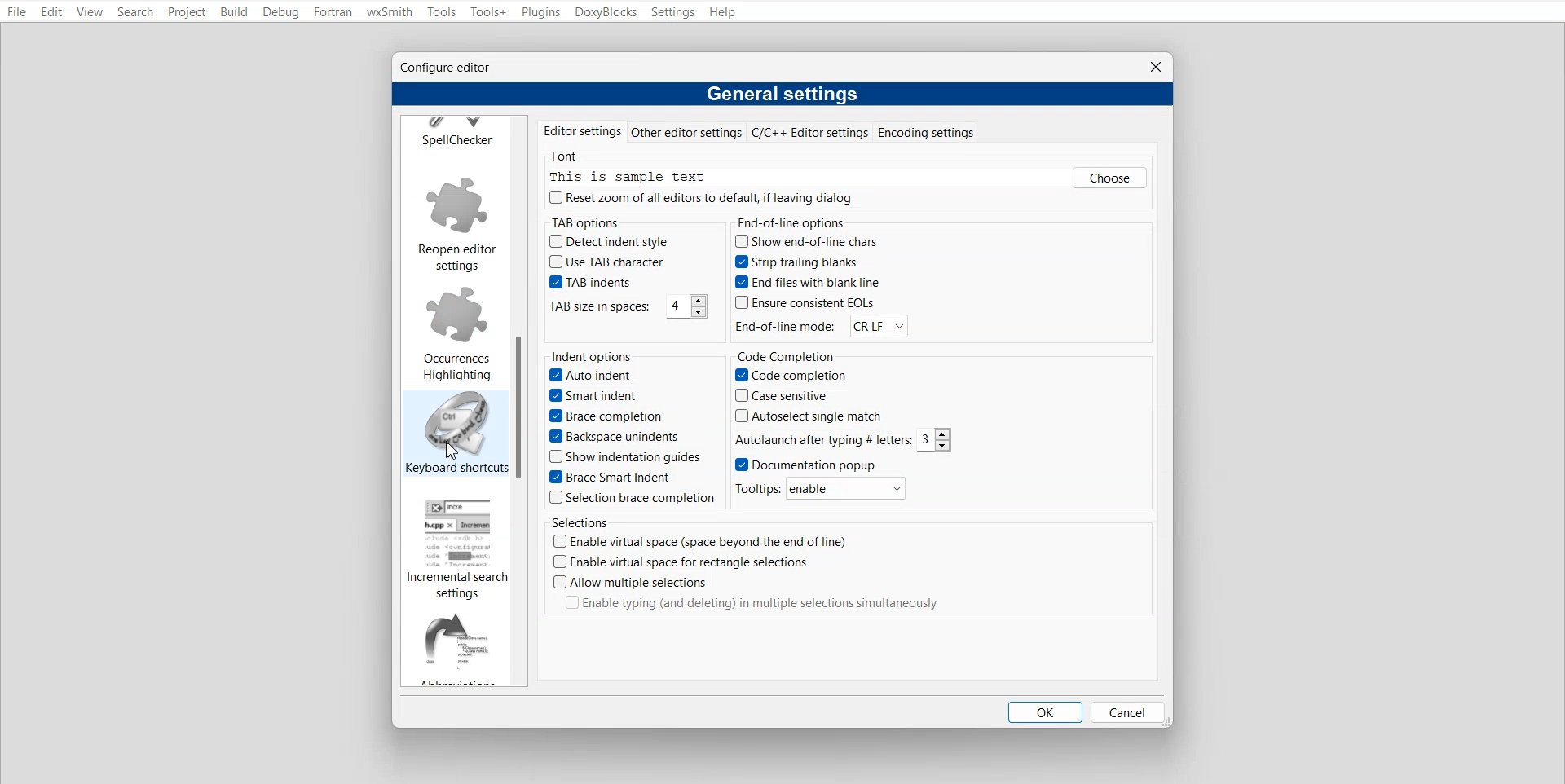 Image resolution: width=1565 pixels, height=784 pixels. What do you see at coordinates (605, 261) in the screenshot?
I see `Use TAB character` at bounding box center [605, 261].